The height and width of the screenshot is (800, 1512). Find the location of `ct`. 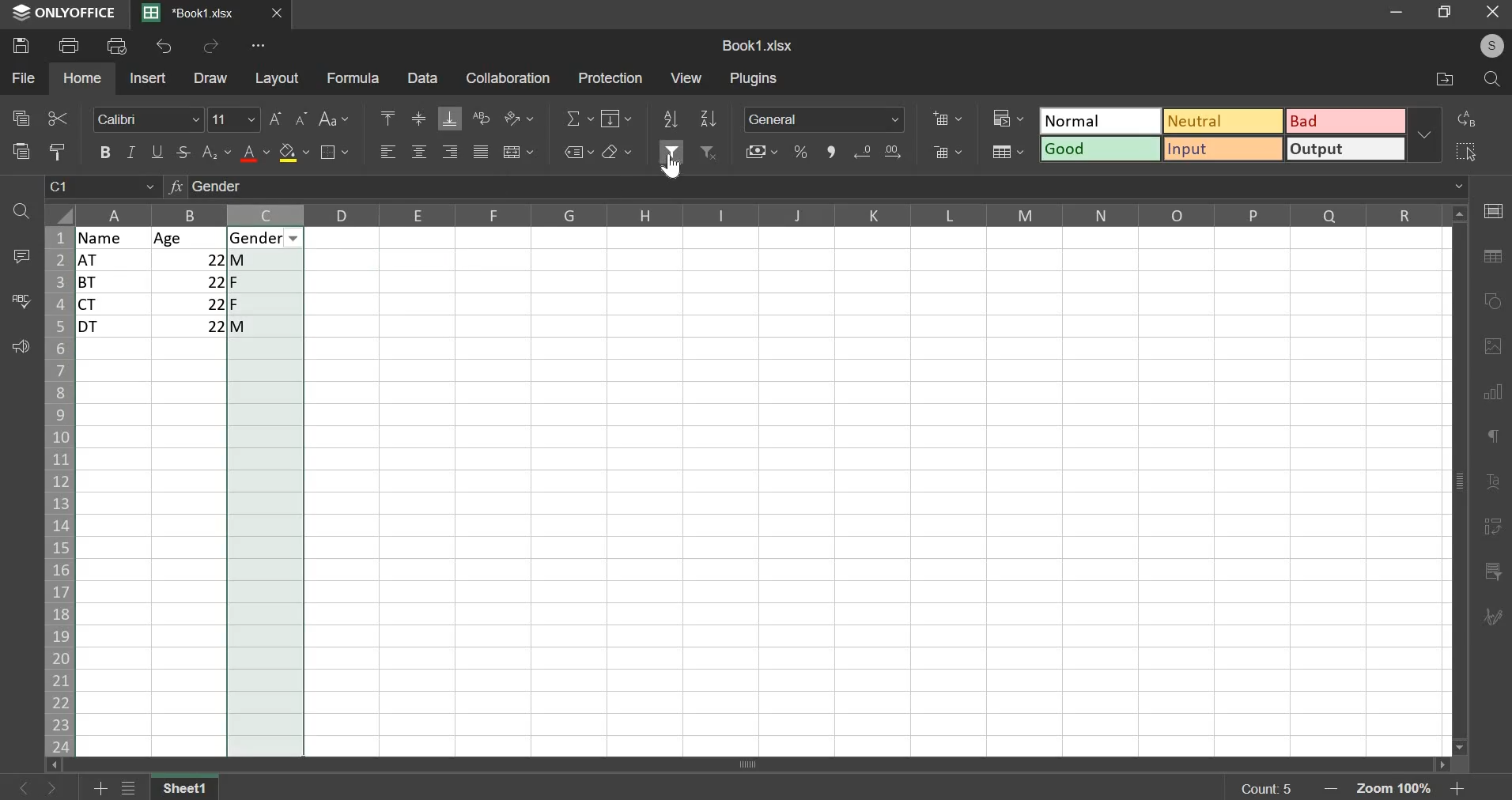

ct is located at coordinates (115, 304).